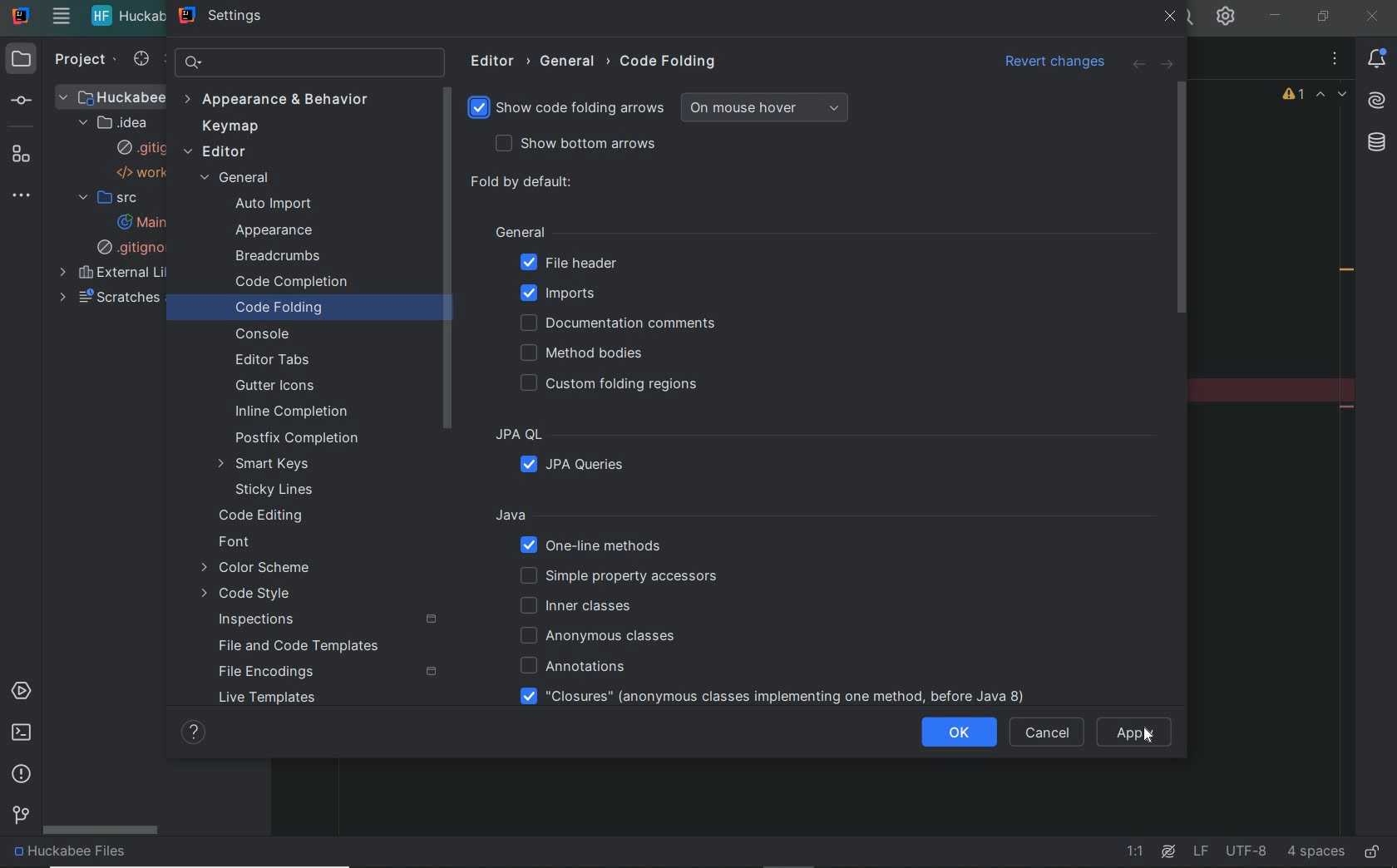  What do you see at coordinates (1138, 67) in the screenshot?
I see `back` at bounding box center [1138, 67].